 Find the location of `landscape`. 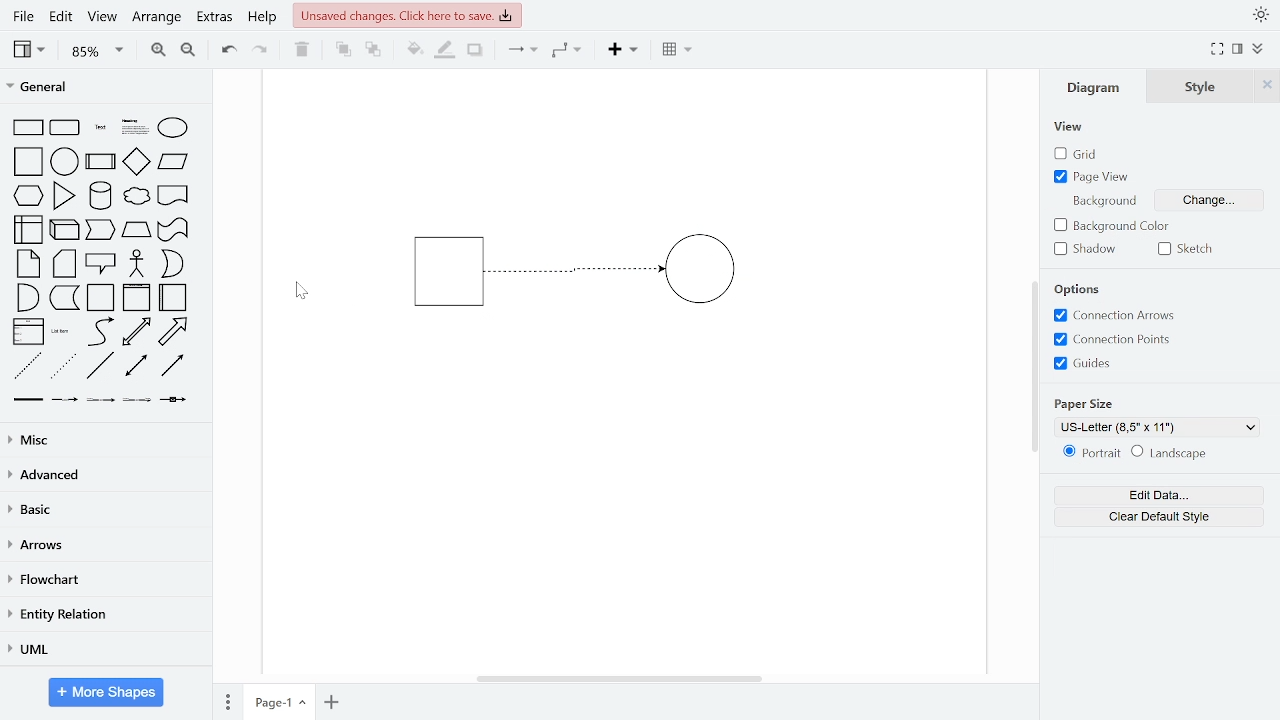

landscape is located at coordinates (1172, 453).